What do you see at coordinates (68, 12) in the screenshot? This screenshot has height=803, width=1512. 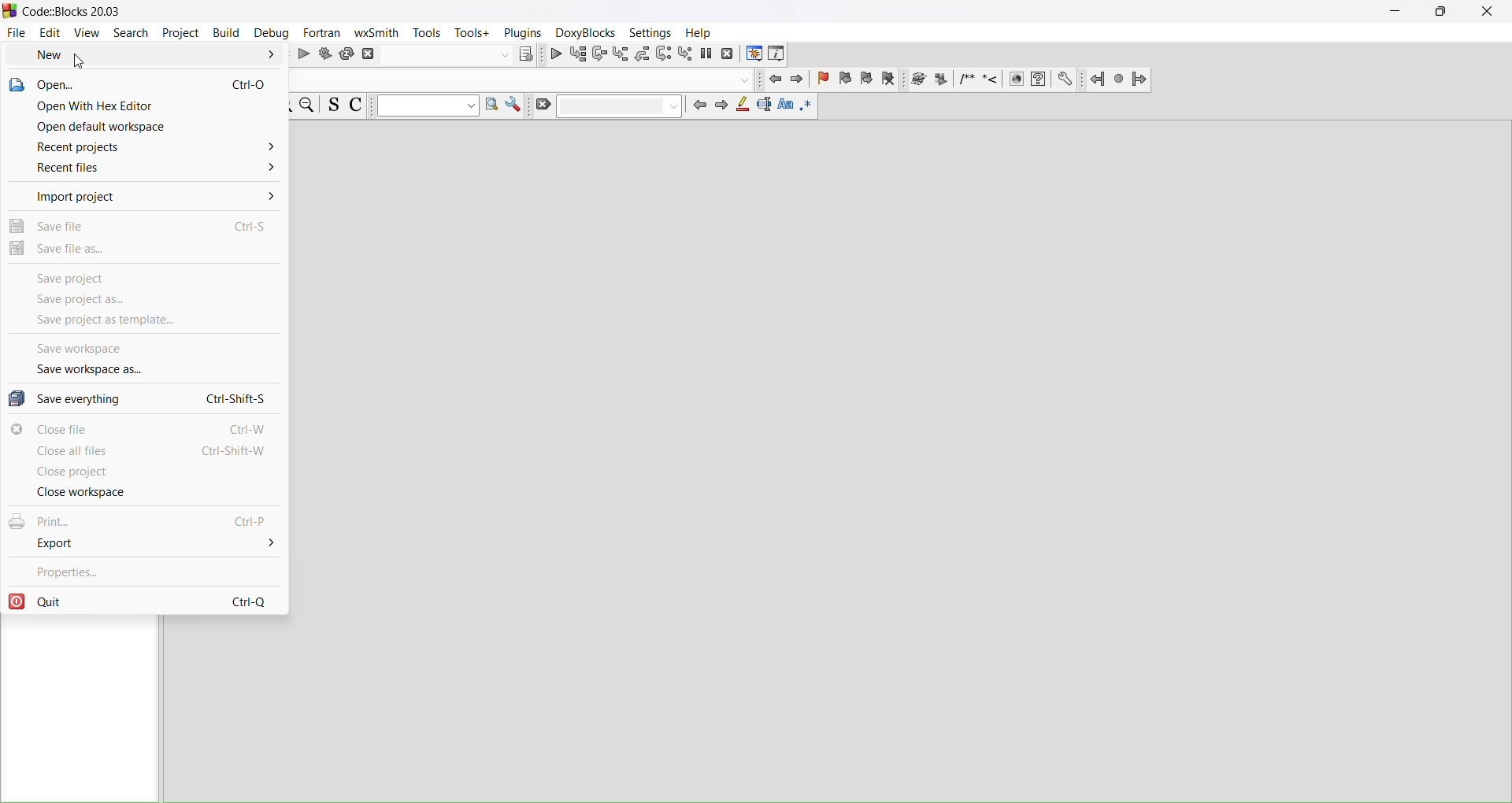 I see `Code::Blocks 20.03` at bounding box center [68, 12].